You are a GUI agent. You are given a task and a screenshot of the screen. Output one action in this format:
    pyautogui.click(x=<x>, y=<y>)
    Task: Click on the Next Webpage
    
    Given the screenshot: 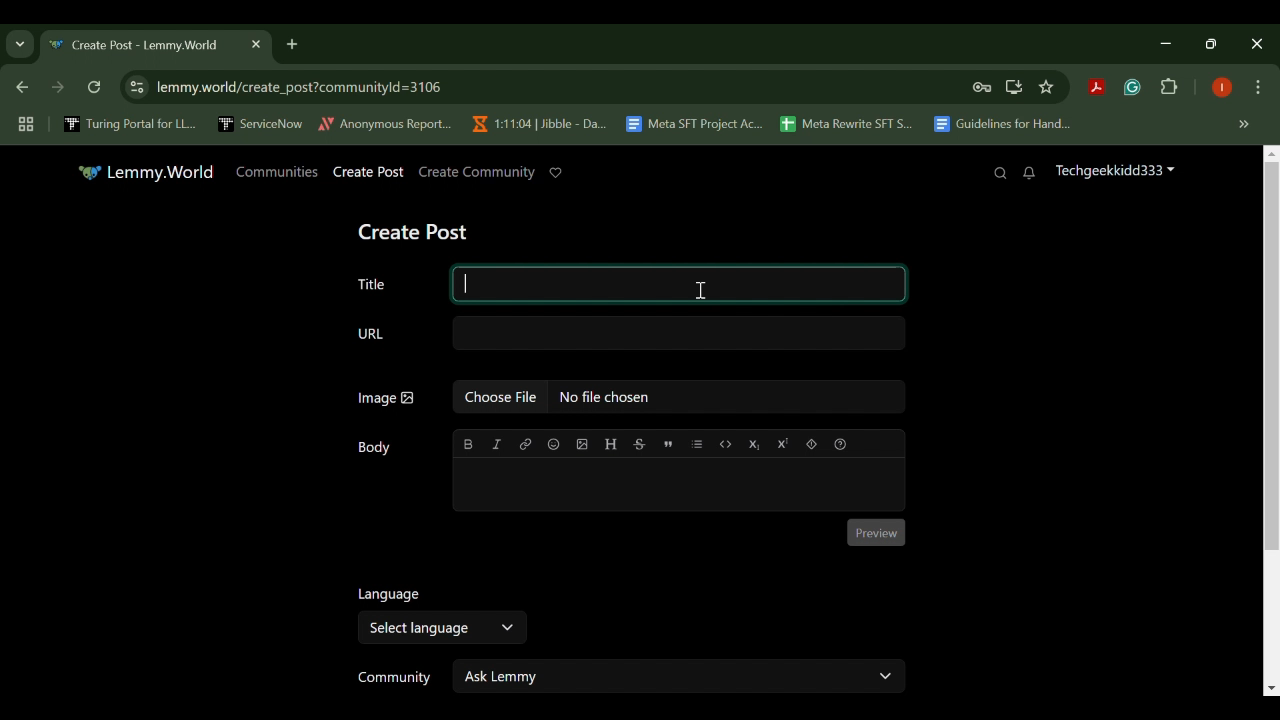 What is the action you would take?
    pyautogui.click(x=58, y=90)
    